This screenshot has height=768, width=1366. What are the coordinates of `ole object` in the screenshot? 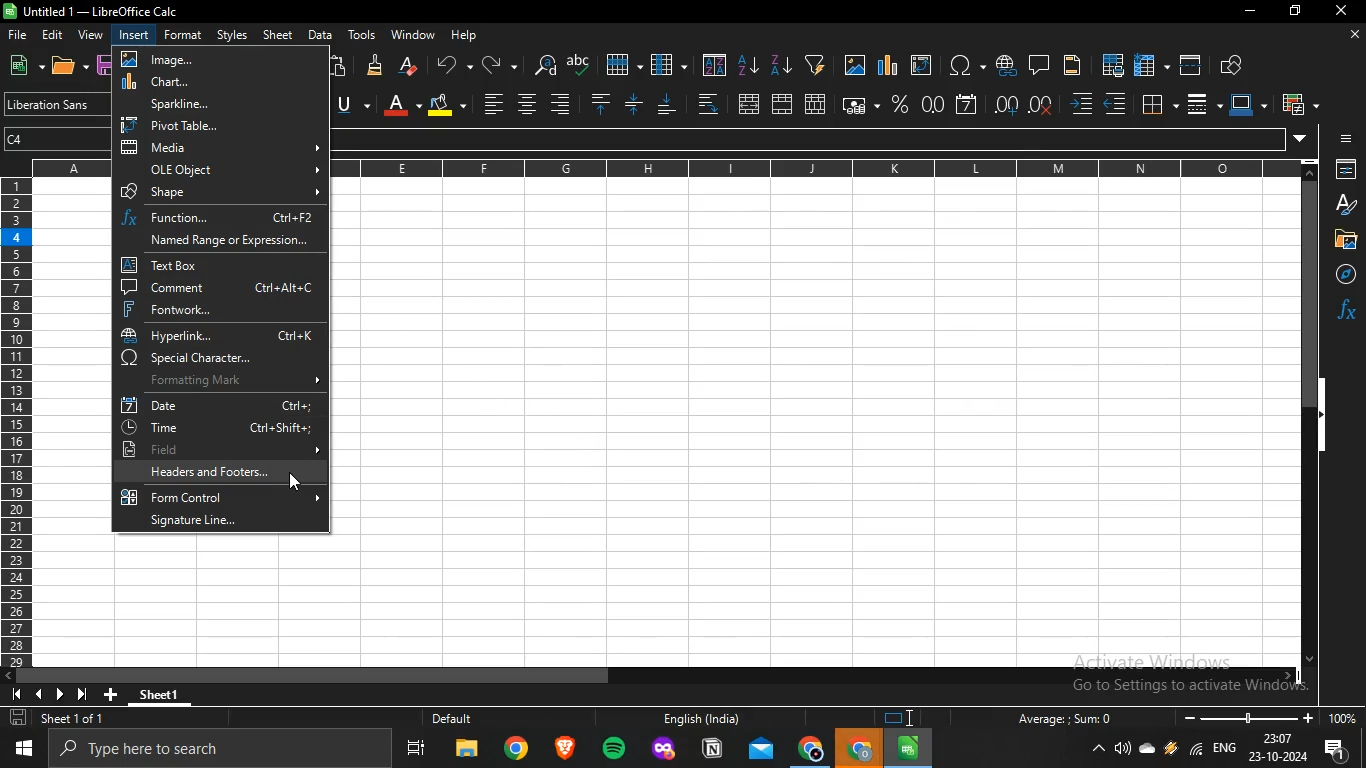 It's located at (221, 169).